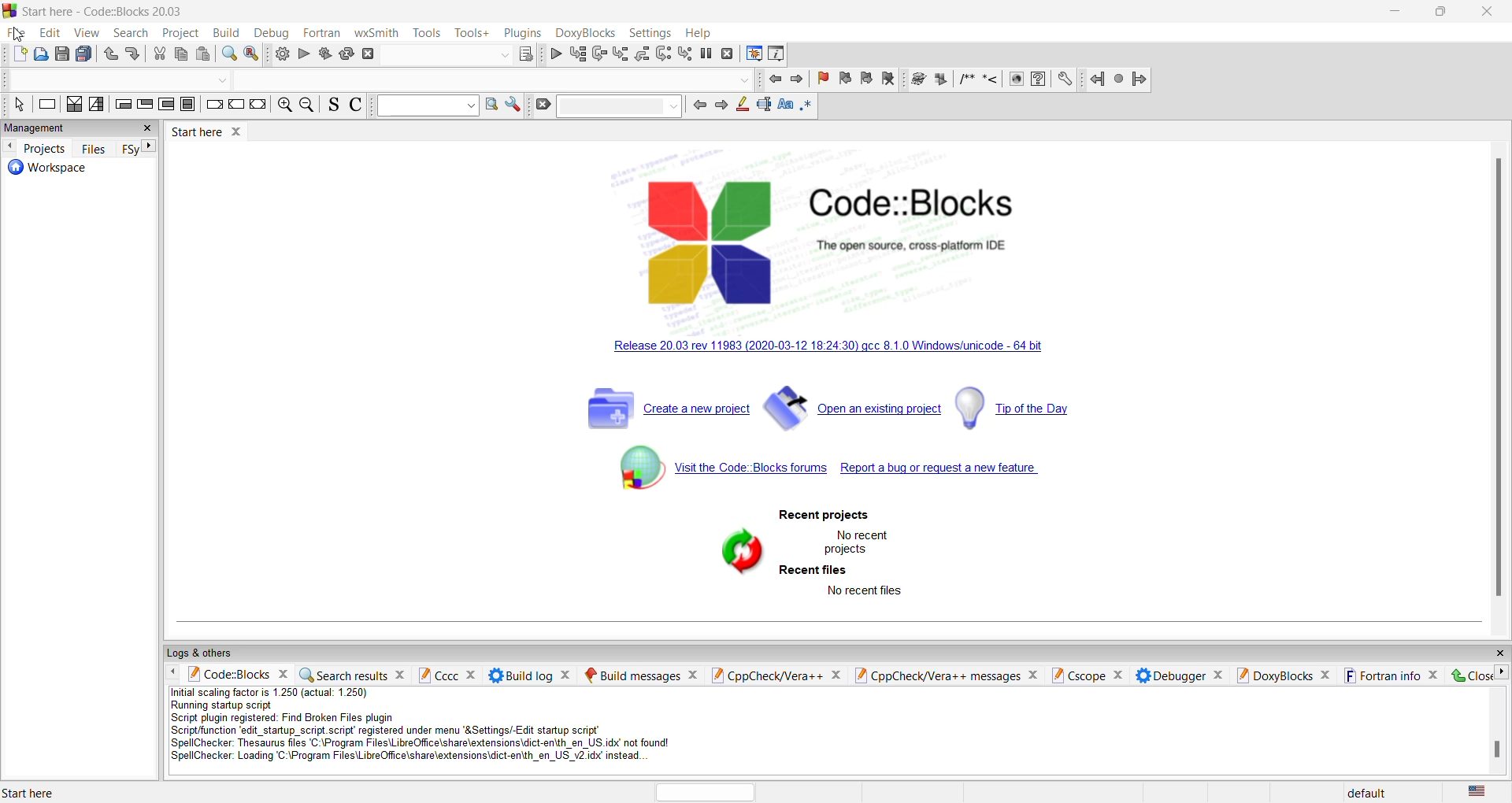  What do you see at coordinates (753, 52) in the screenshot?
I see `debugging window` at bounding box center [753, 52].